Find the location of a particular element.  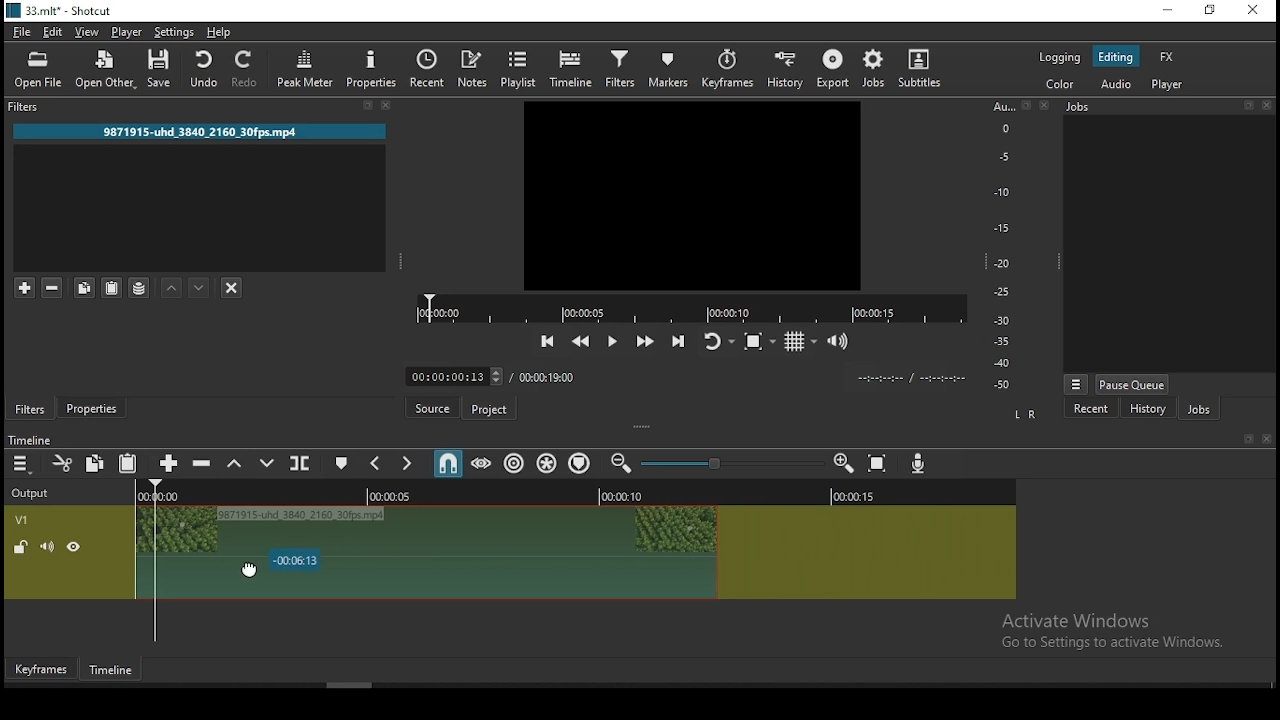

timeline is located at coordinates (571, 67).